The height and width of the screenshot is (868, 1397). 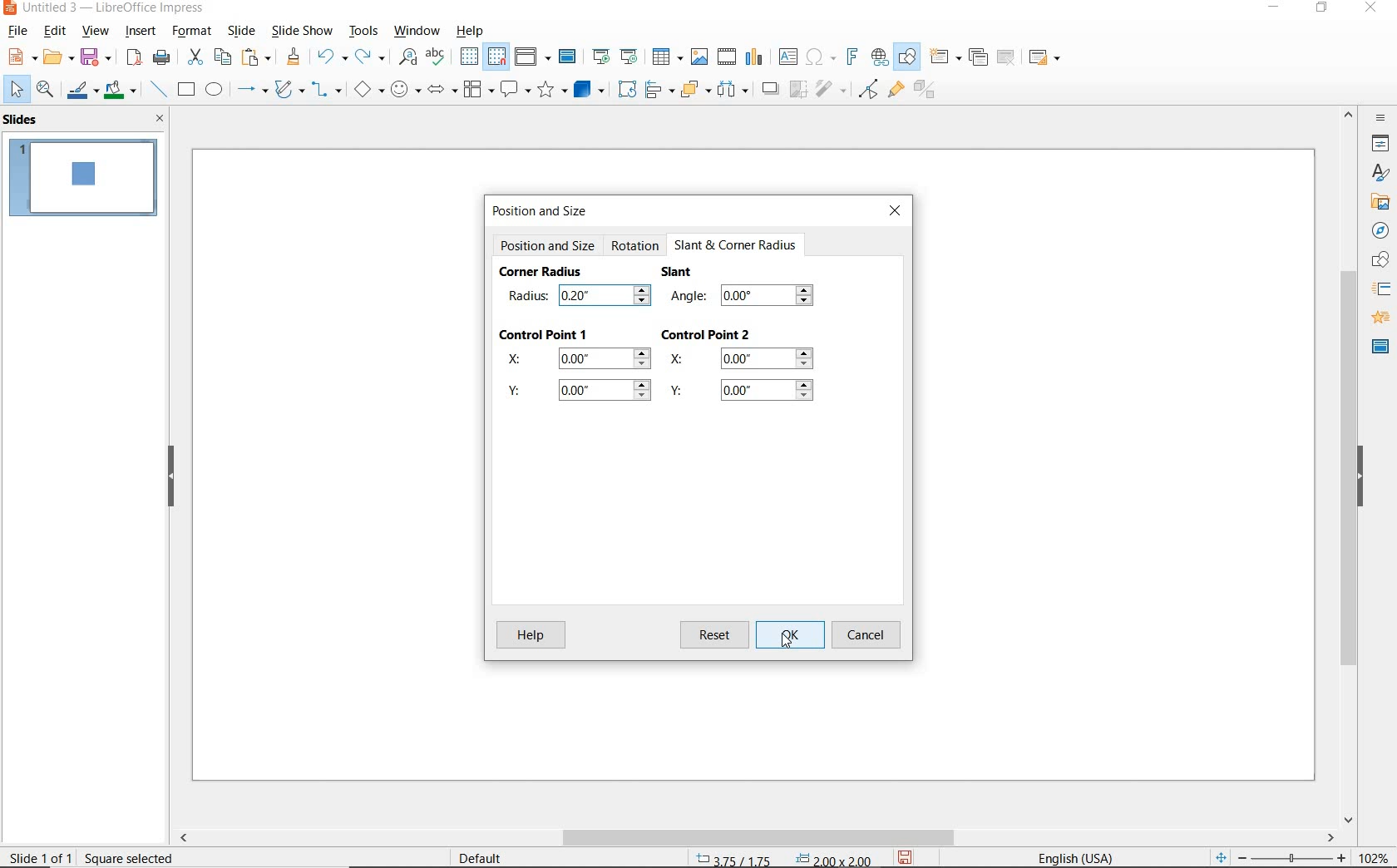 What do you see at coordinates (95, 31) in the screenshot?
I see `view` at bounding box center [95, 31].